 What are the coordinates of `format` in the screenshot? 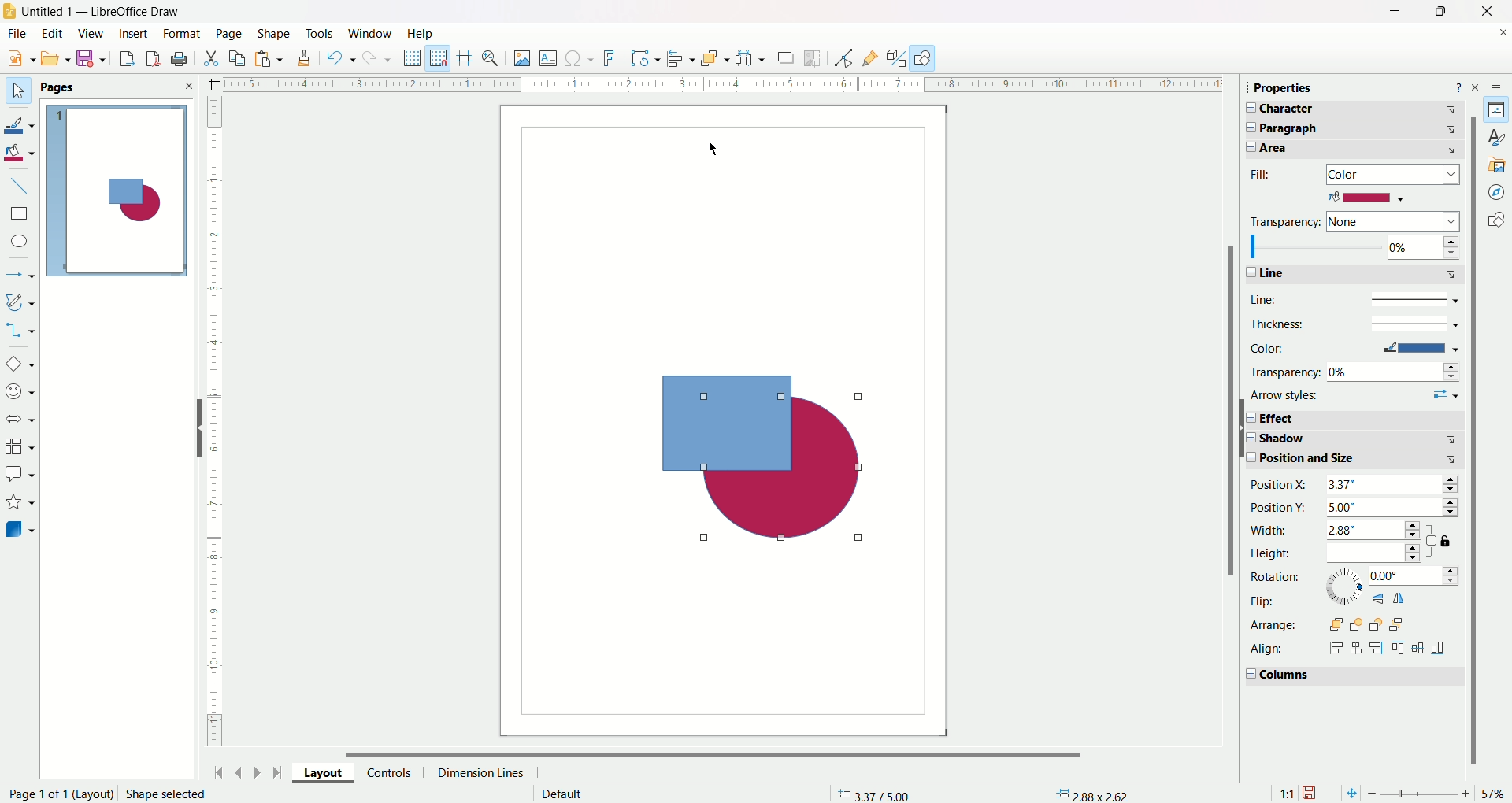 It's located at (181, 34).